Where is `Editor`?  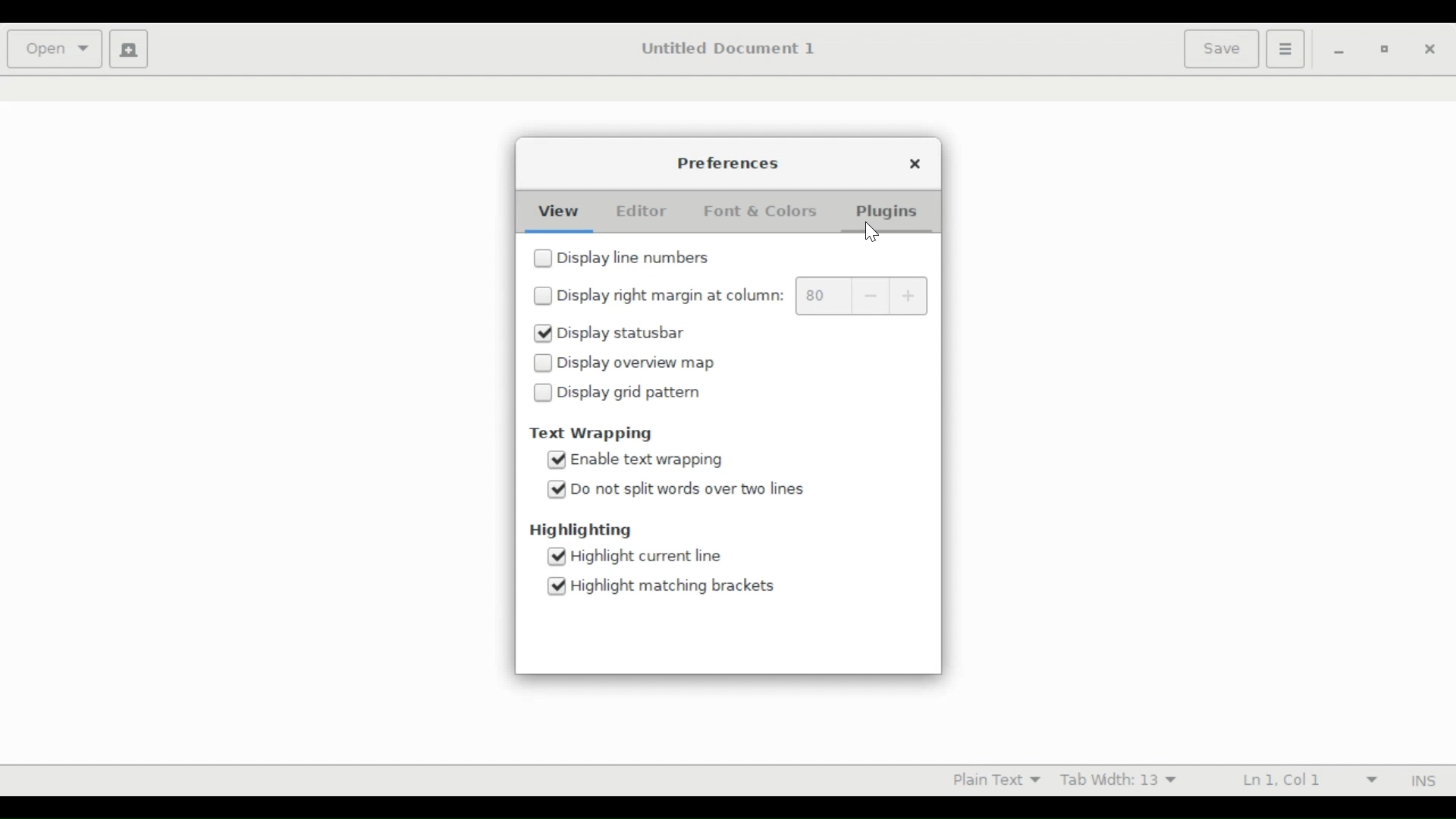
Editor is located at coordinates (642, 211).